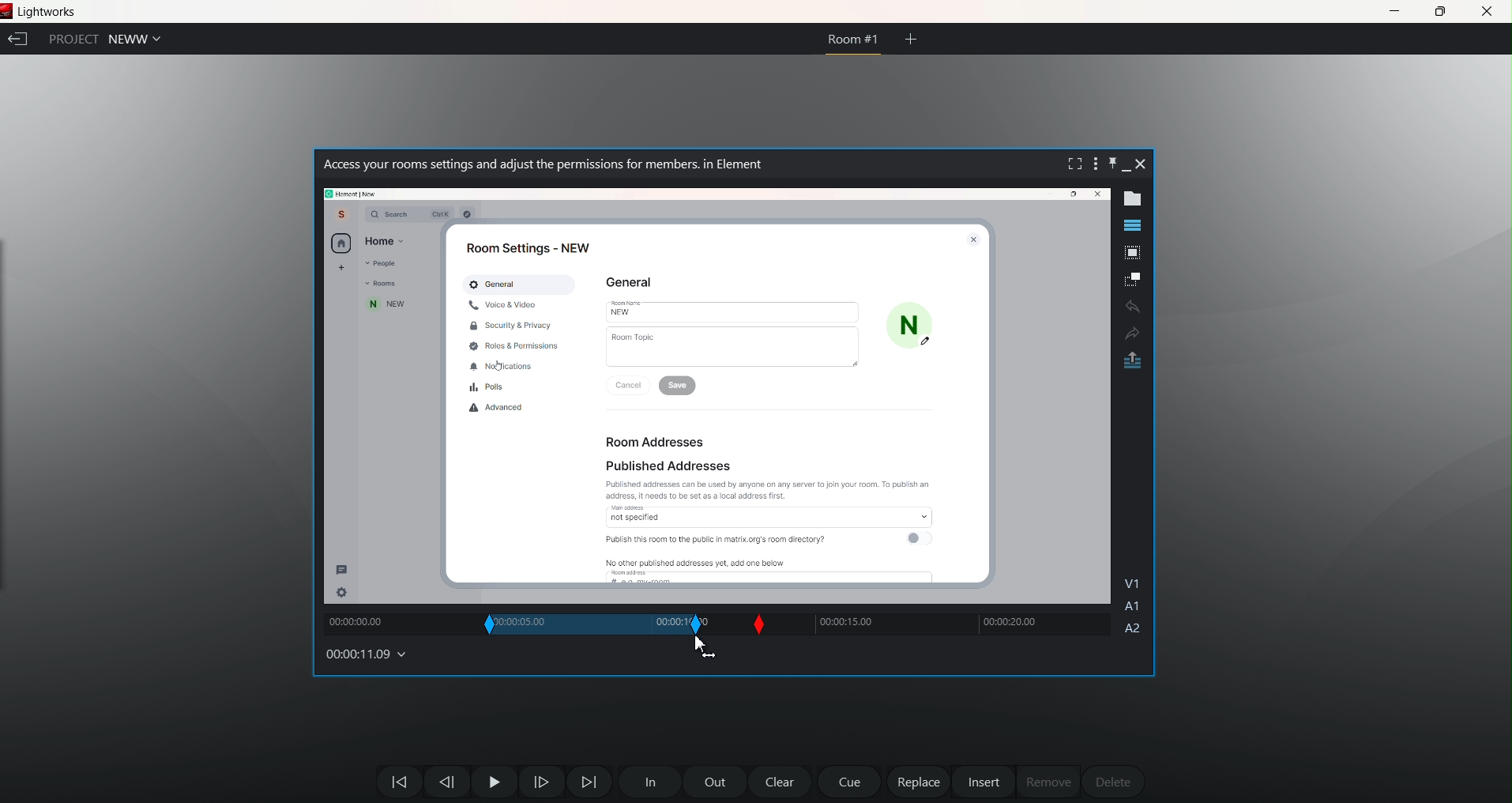 This screenshot has height=803, width=1512. What do you see at coordinates (1134, 360) in the screenshot?
I see `pop out` at bounding box center [1134, 360].